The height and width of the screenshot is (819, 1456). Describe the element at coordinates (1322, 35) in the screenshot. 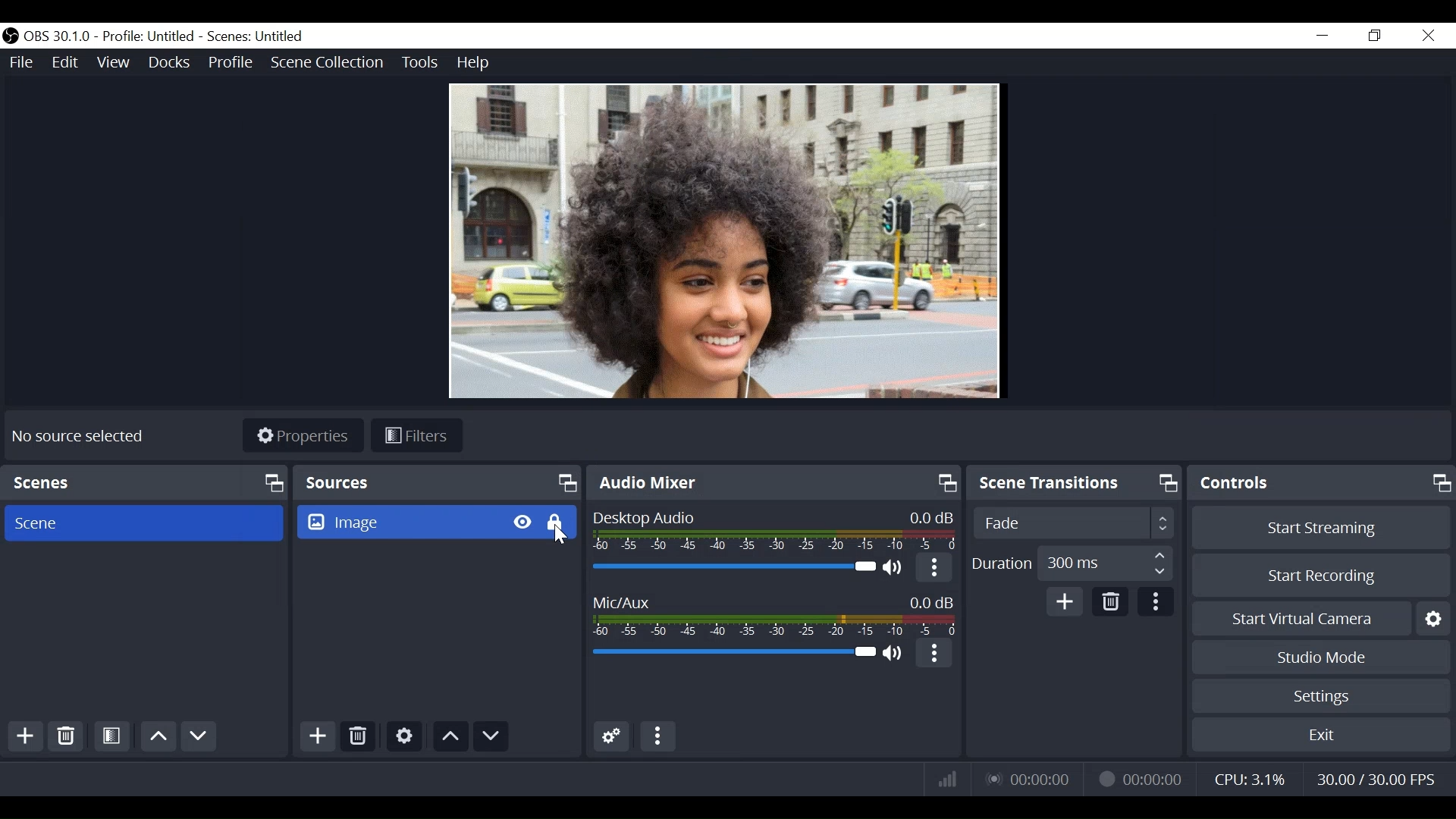

I see `minimize` at that location.